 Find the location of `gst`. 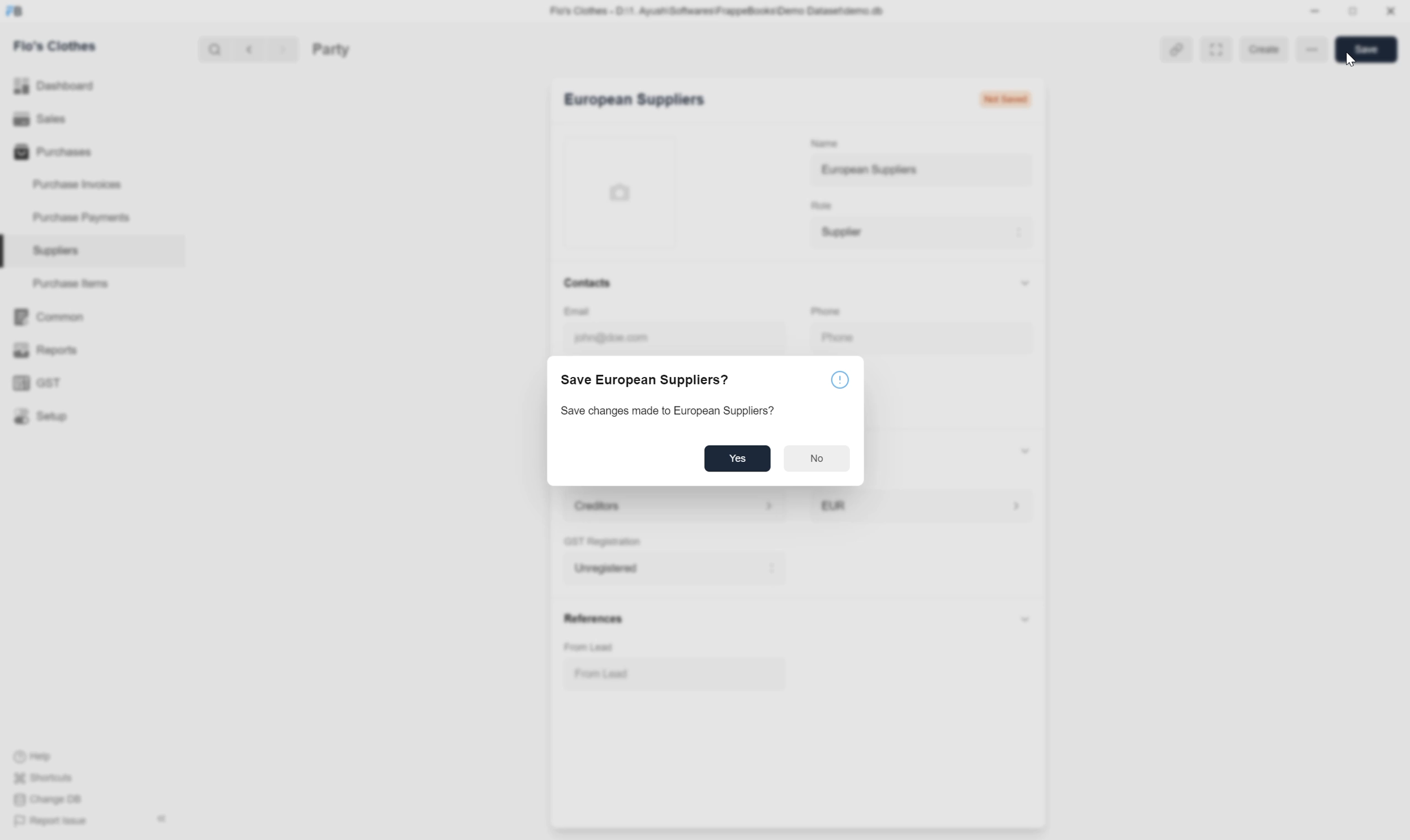

gst is located at coordinates (36, 383).